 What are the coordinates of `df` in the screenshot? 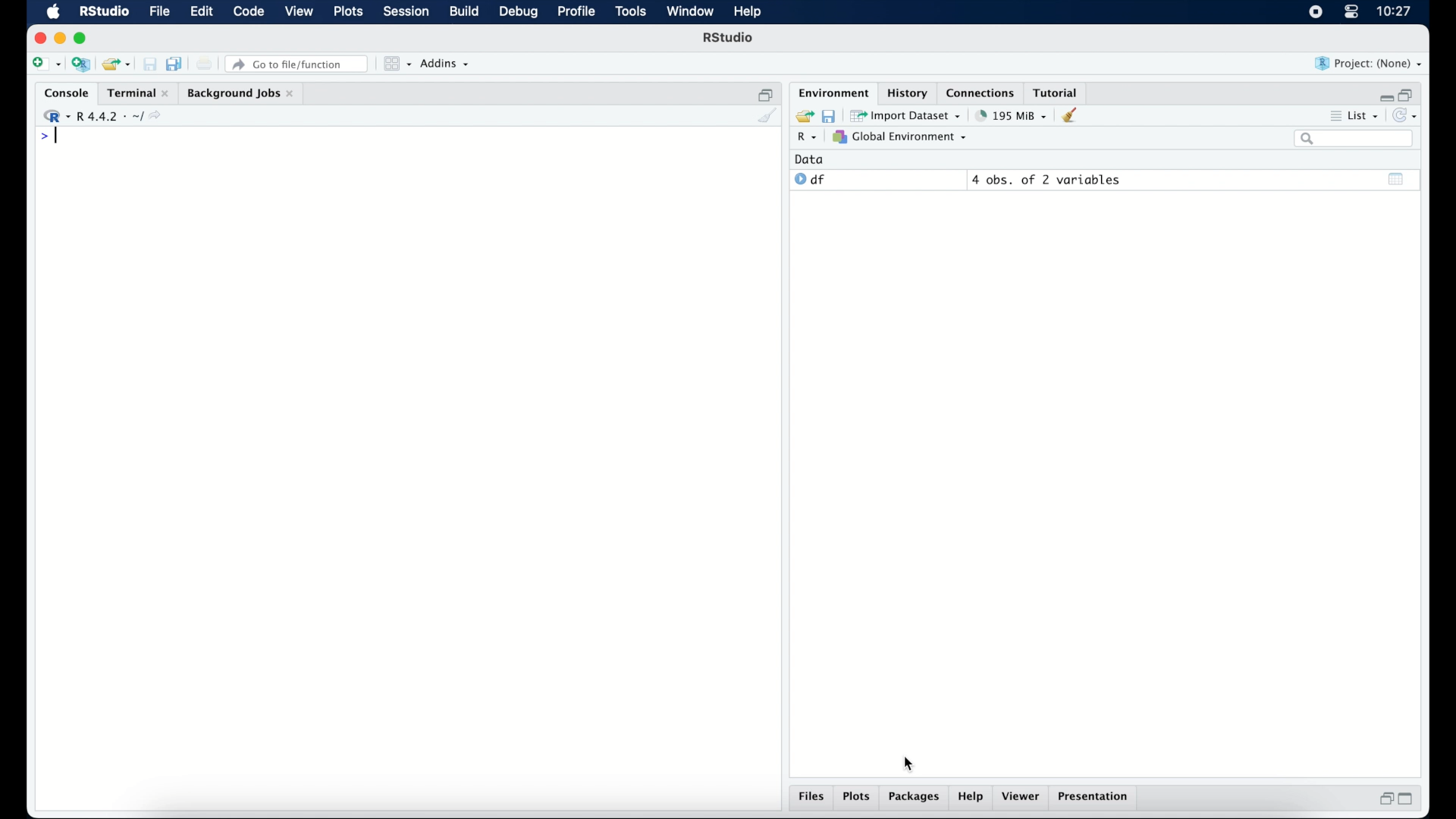 It's located at (810, 180).